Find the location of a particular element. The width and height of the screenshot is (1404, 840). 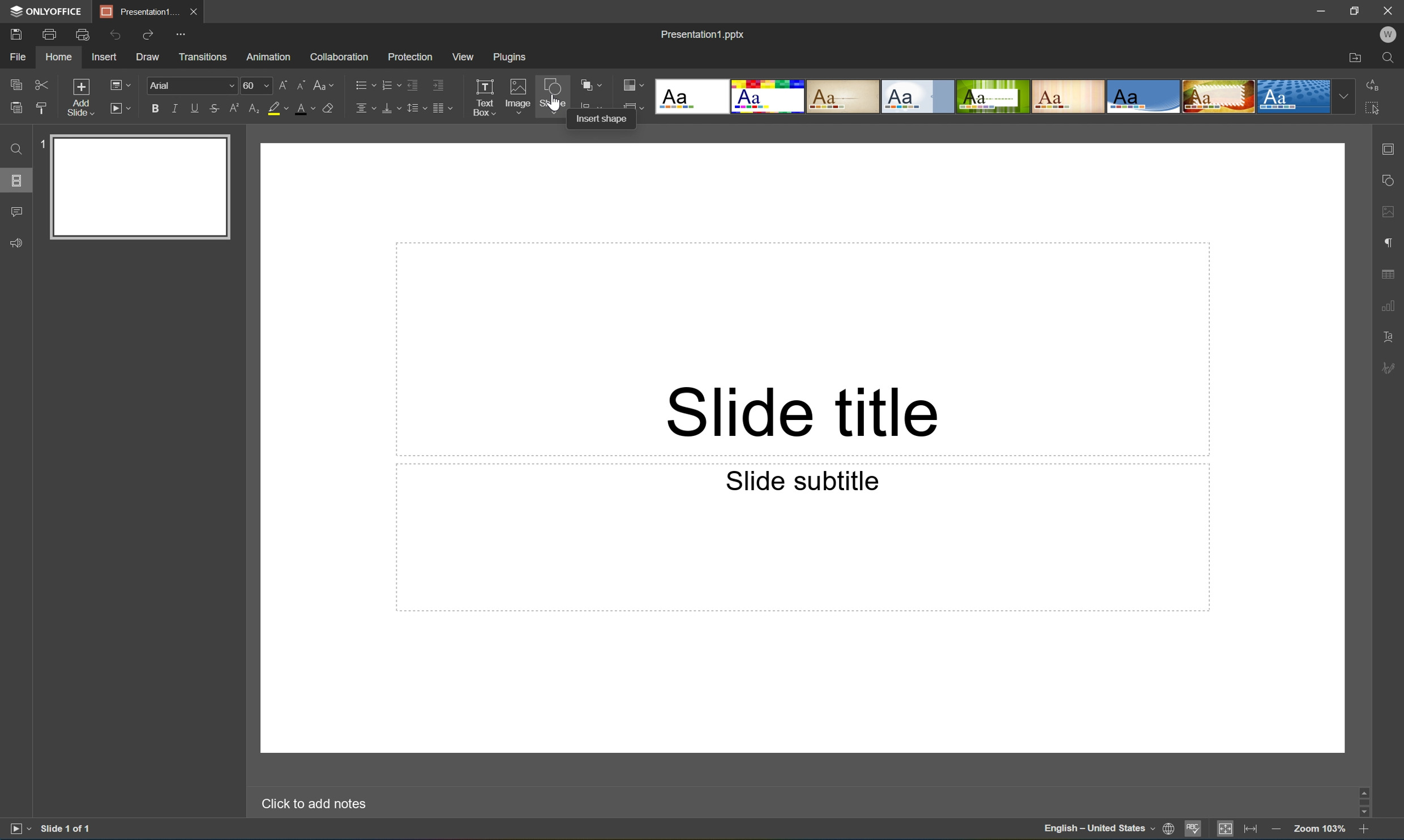

Type of slides is located at coordinates (1003, 97).